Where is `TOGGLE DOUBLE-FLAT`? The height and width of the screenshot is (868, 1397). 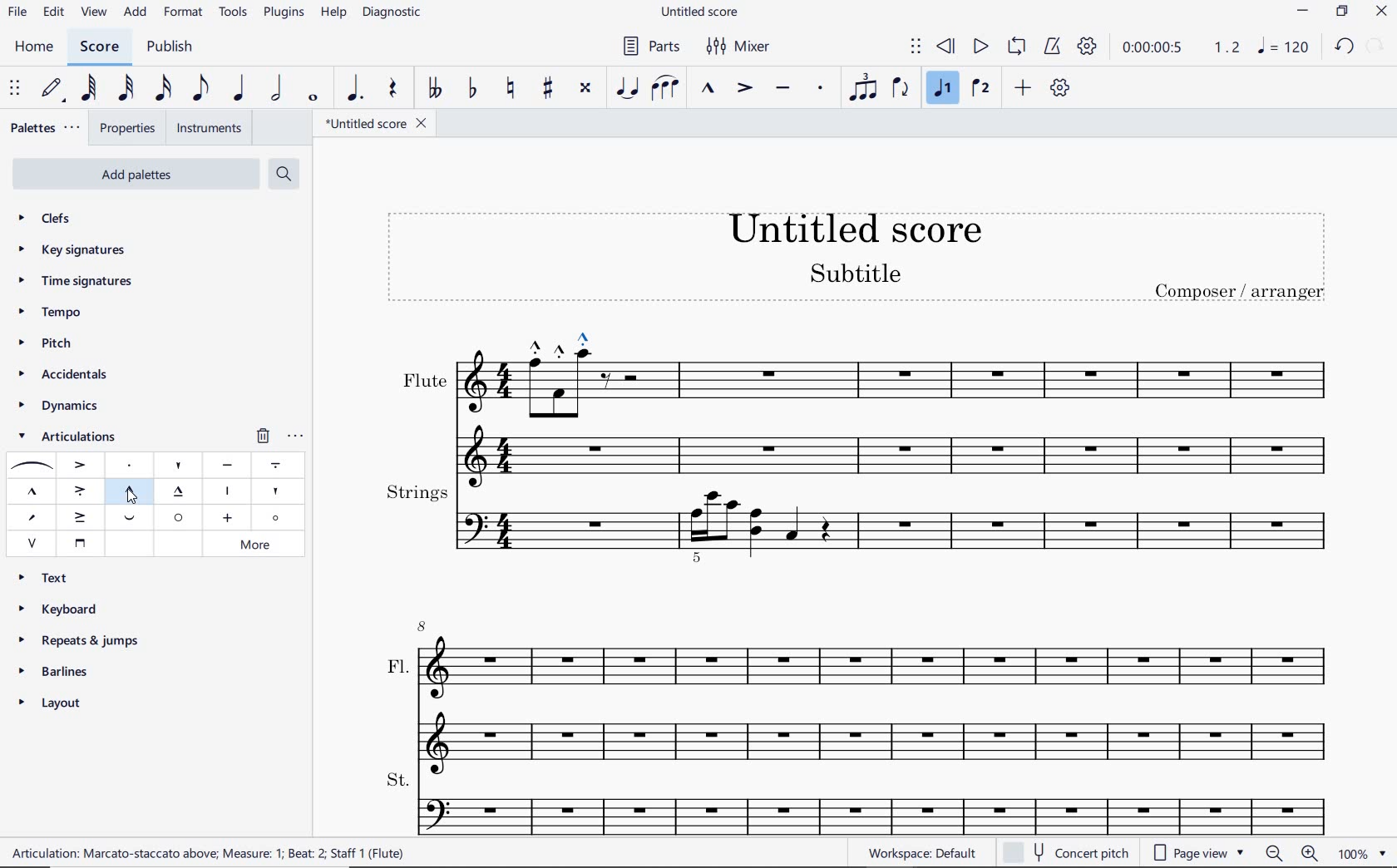
TOGGLE DOUBLE-FLAT is located at coordinates (435, 89).